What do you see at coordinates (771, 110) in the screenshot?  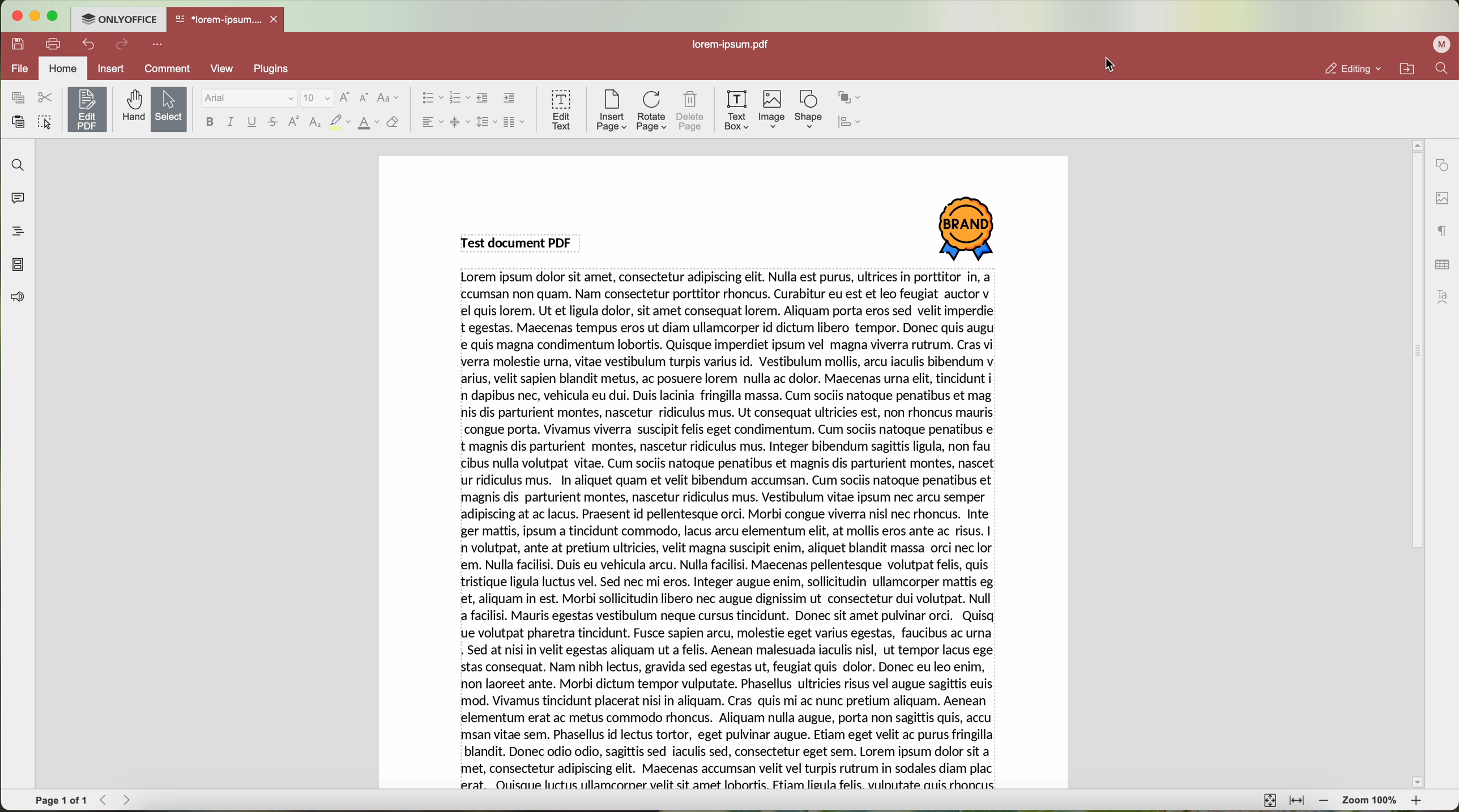 I see `click on image` at bounding box center [771, 110].